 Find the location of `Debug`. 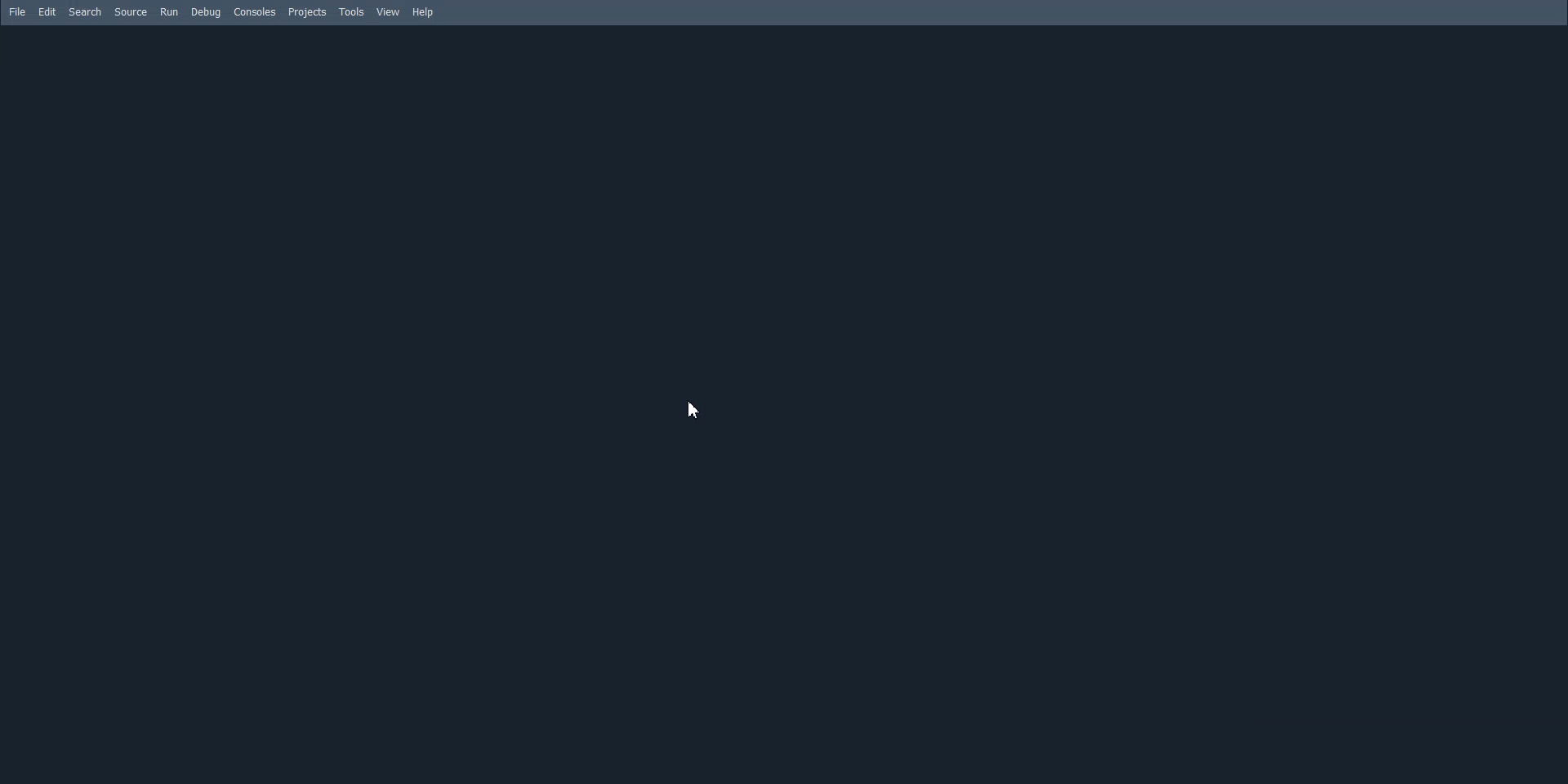

Debug is located at coordinates (206, 12).